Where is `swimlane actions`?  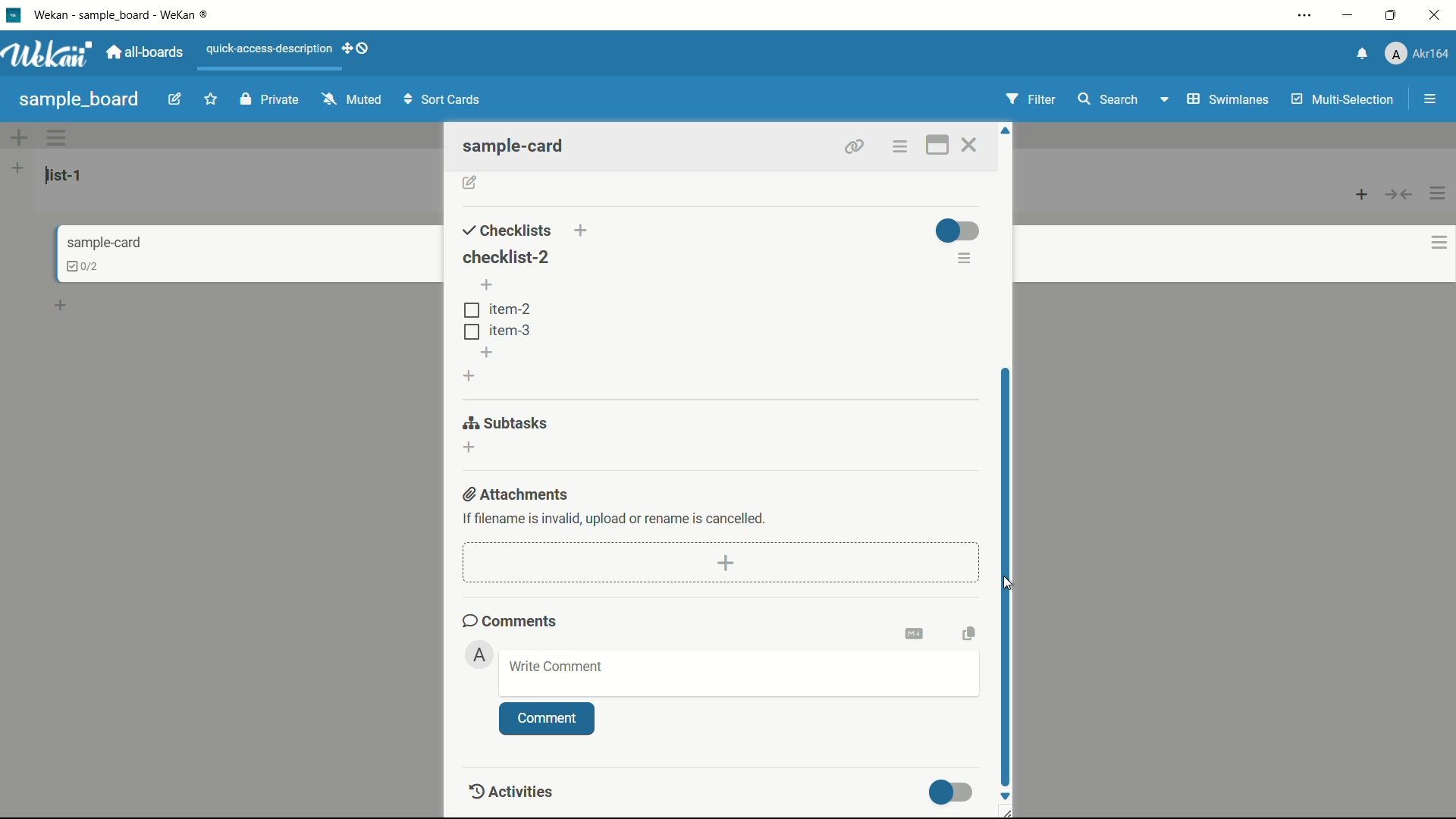
swimlane actions is located at coordinates (58, 138).